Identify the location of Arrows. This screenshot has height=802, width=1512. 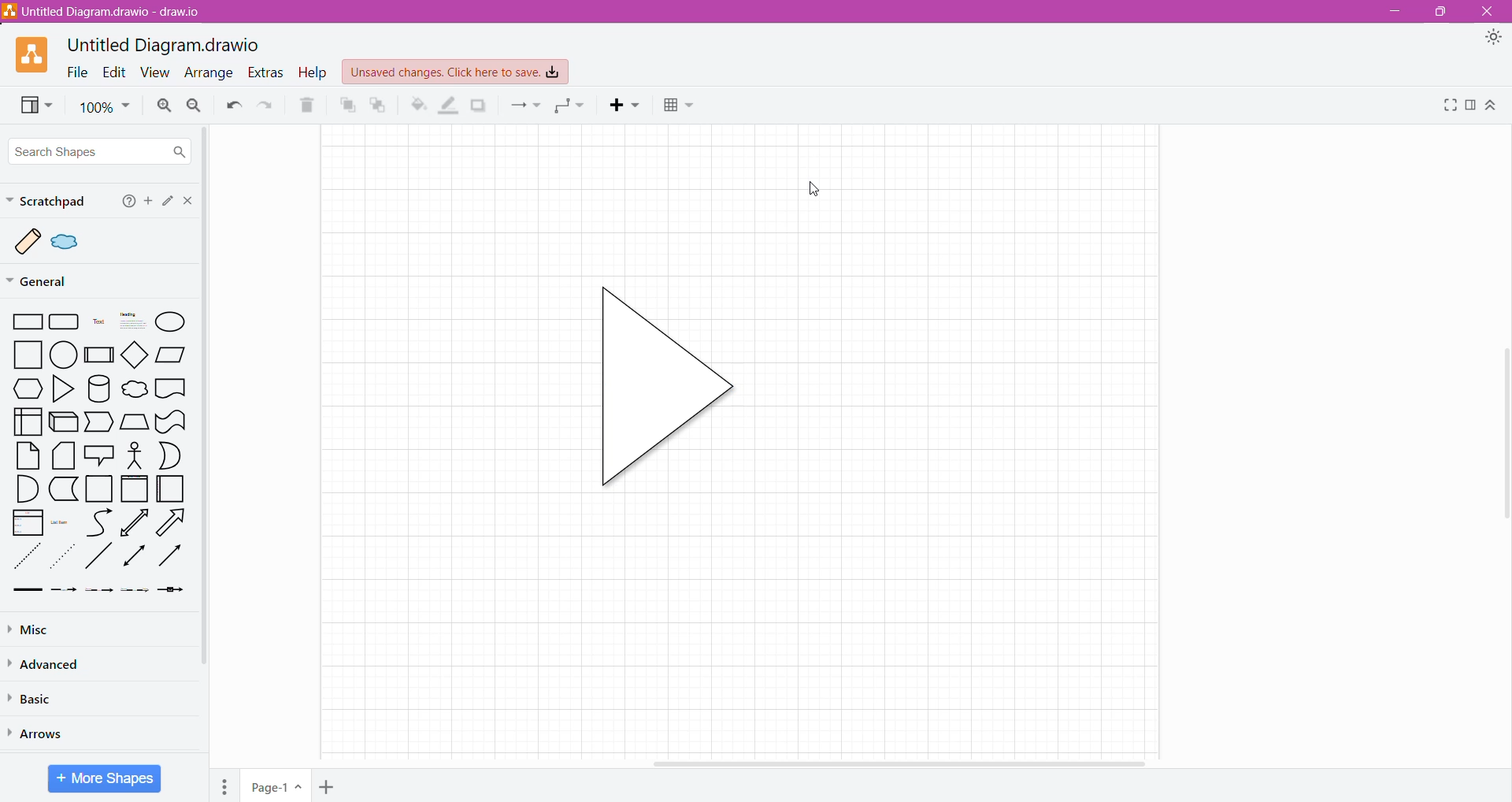
(53, 734).